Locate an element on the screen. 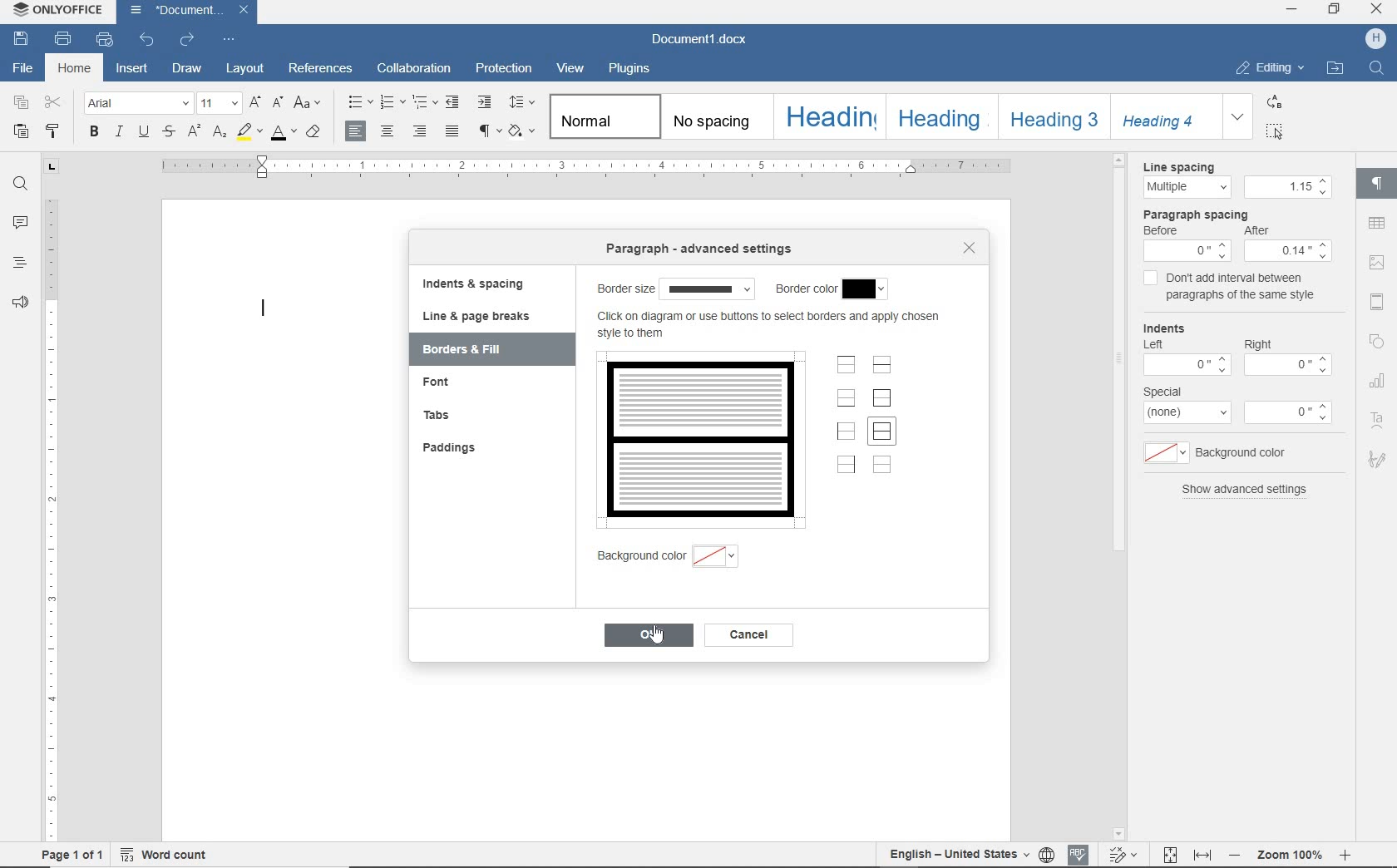  heading3 is located at coordinates (1054, 121).